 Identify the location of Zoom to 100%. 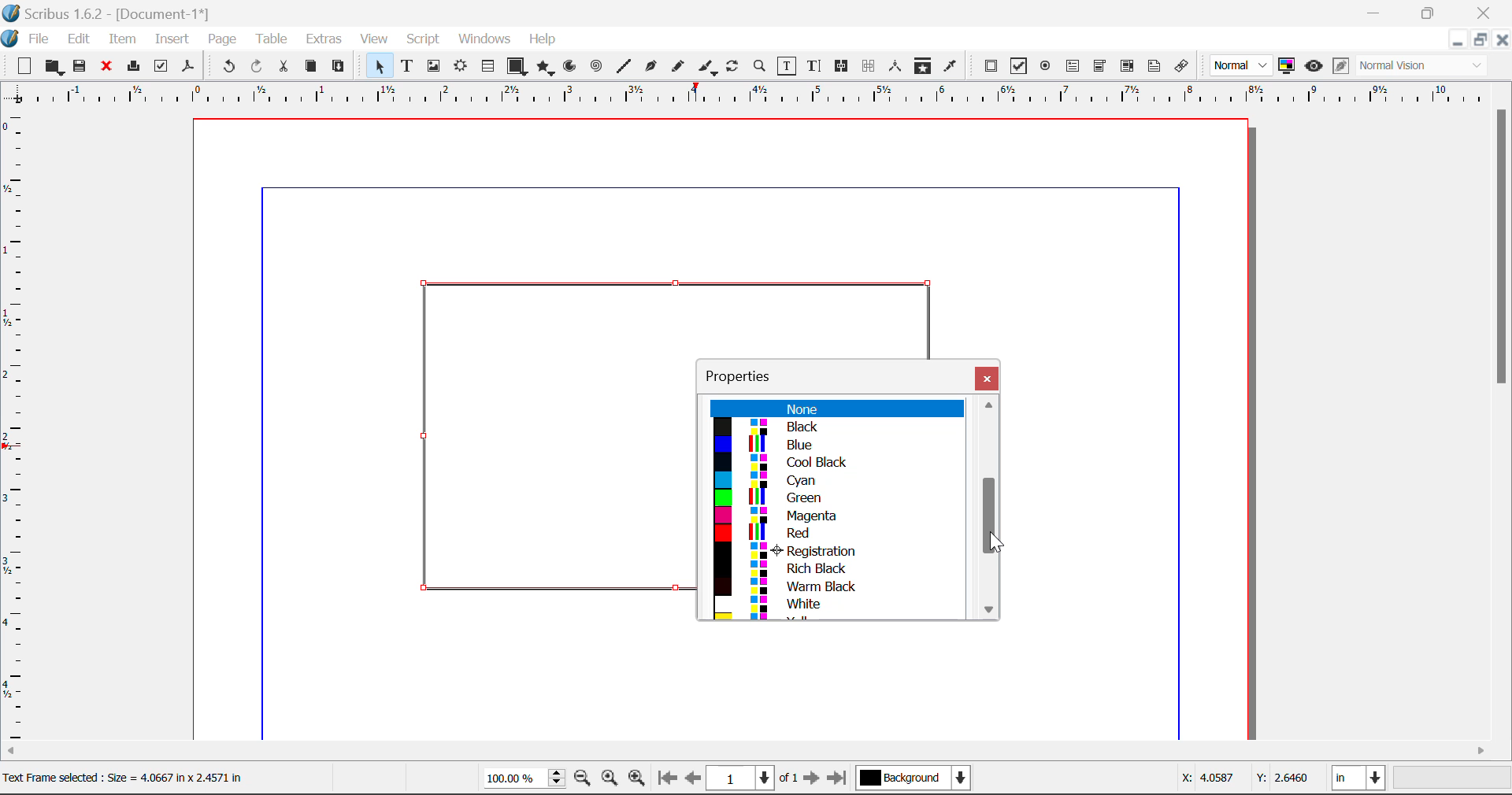
(610, 780).